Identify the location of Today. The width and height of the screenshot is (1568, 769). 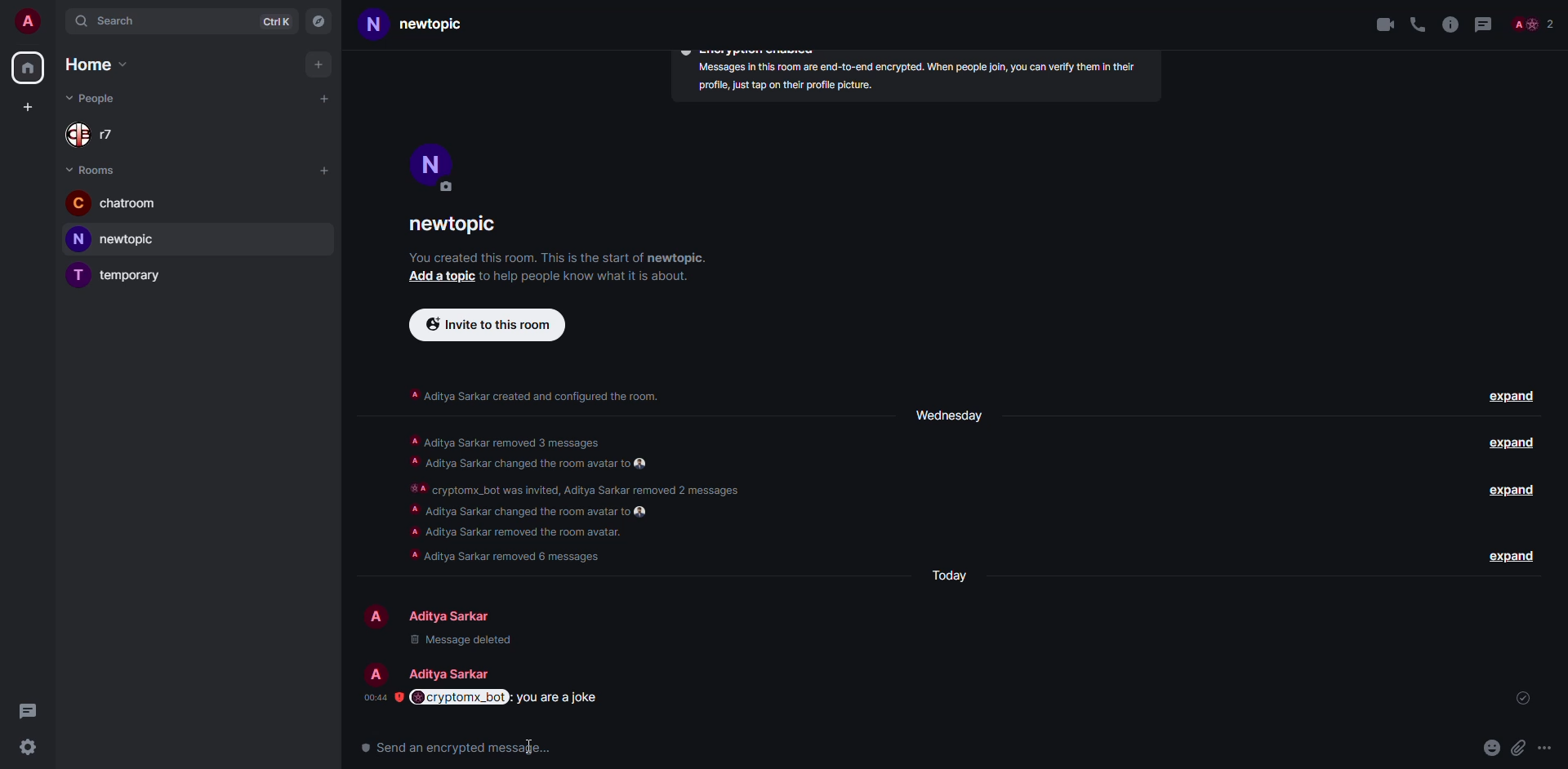
(953, 578).